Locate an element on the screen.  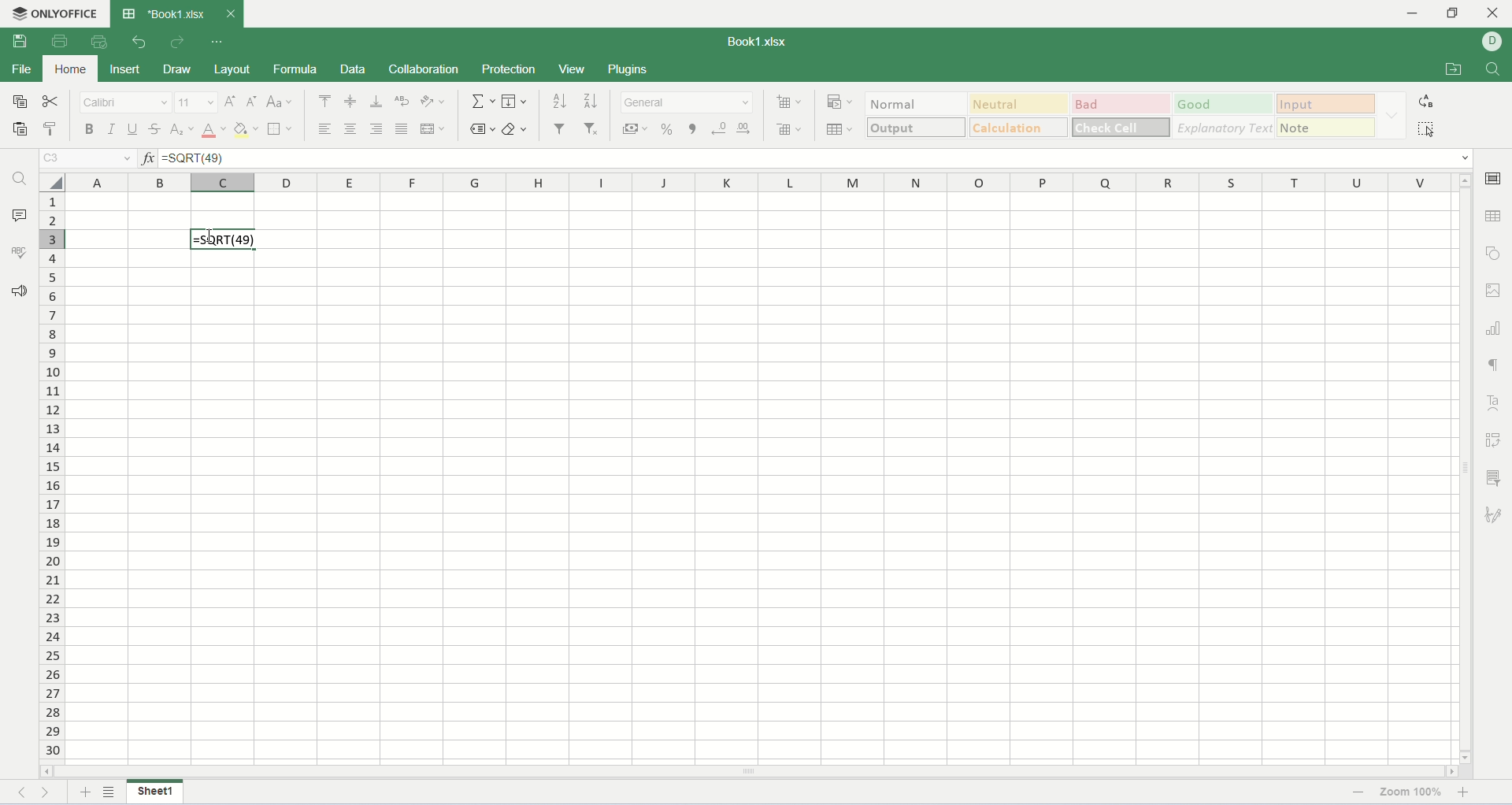
data is located at coordinates (353, 71).